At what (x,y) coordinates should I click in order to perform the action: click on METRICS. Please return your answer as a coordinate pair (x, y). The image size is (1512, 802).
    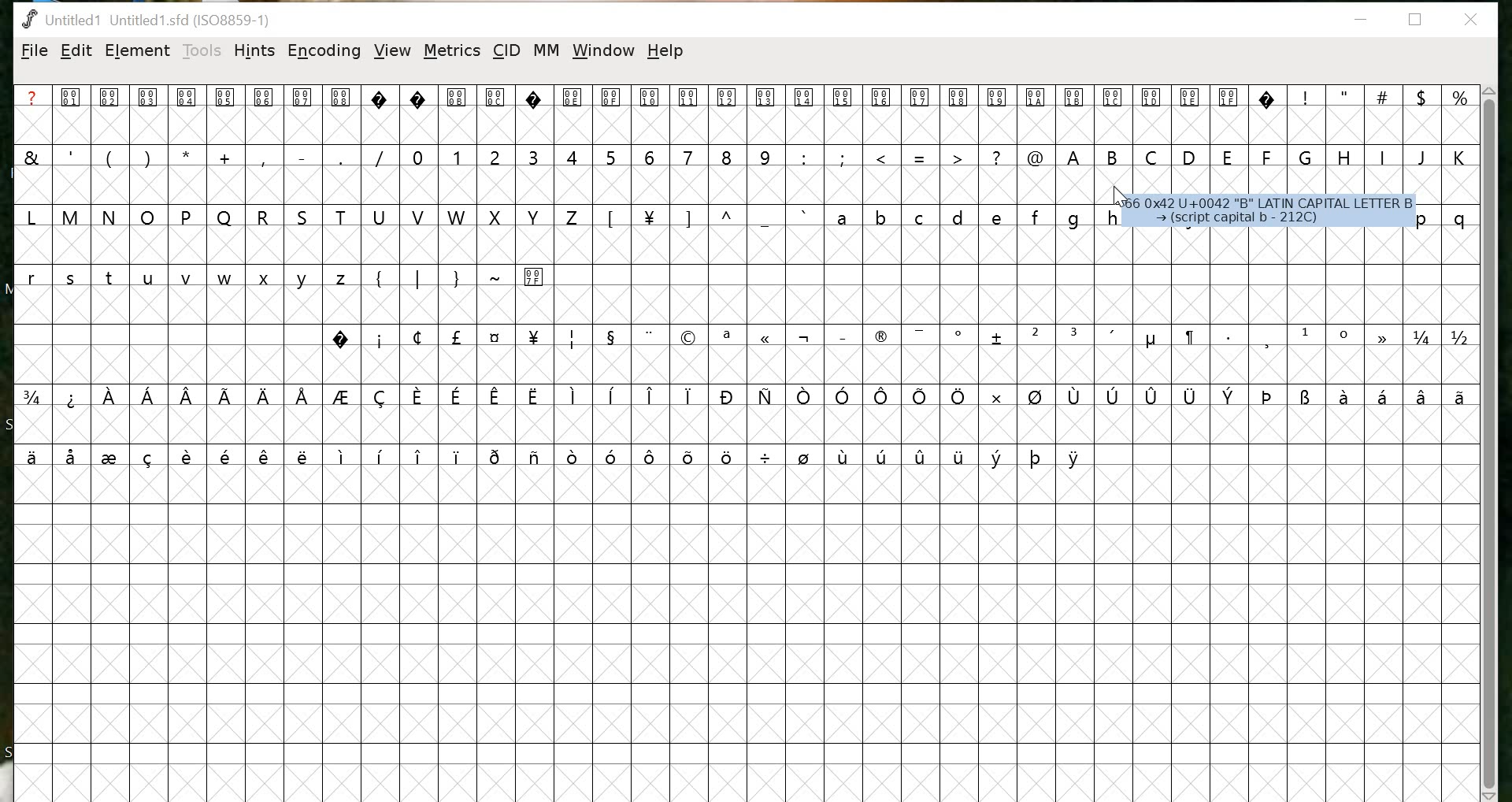
    Looking at the image, I should click on (454, 50).